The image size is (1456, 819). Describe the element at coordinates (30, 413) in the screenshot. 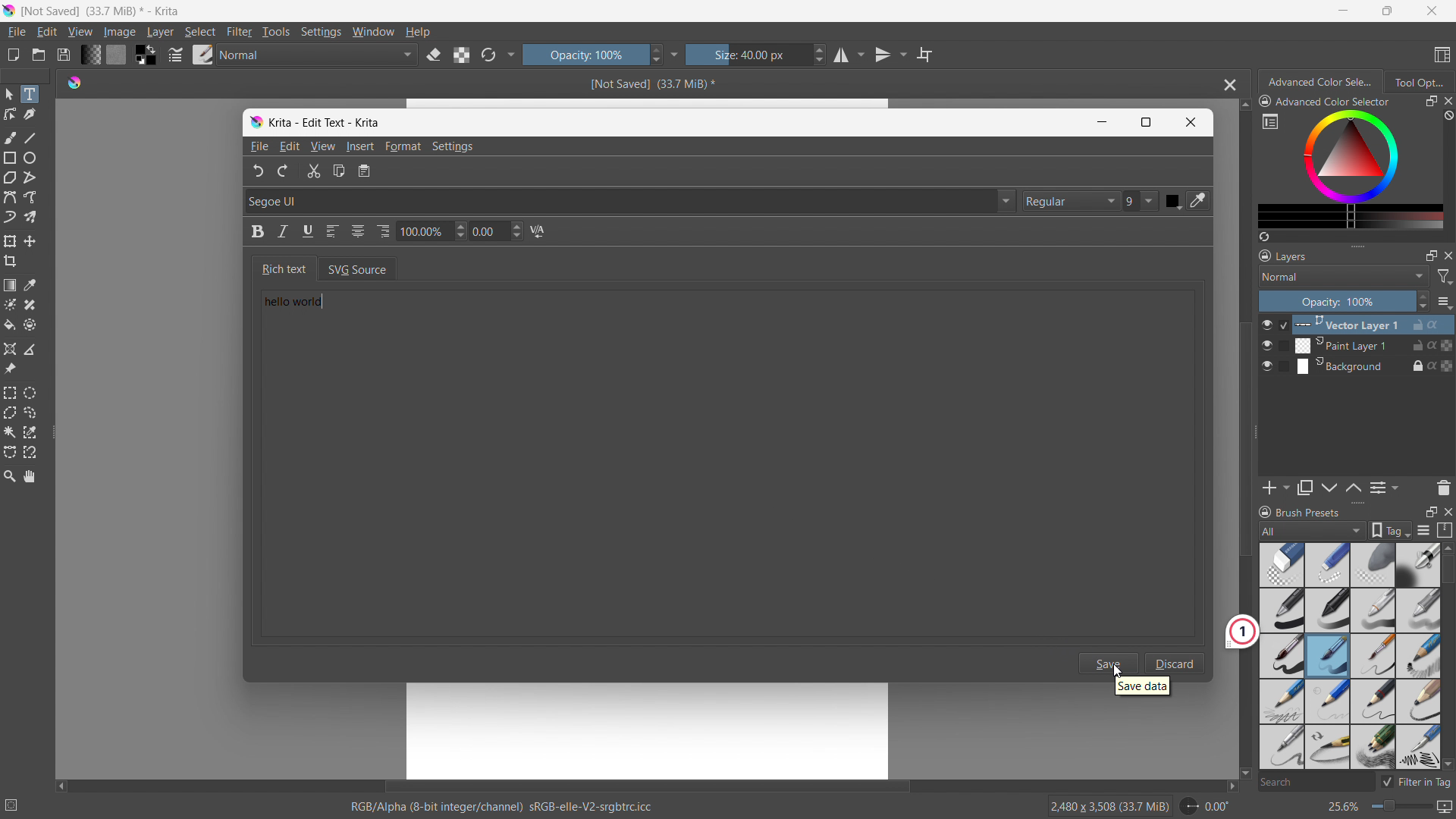

I see `freehand selection tool` at that location.